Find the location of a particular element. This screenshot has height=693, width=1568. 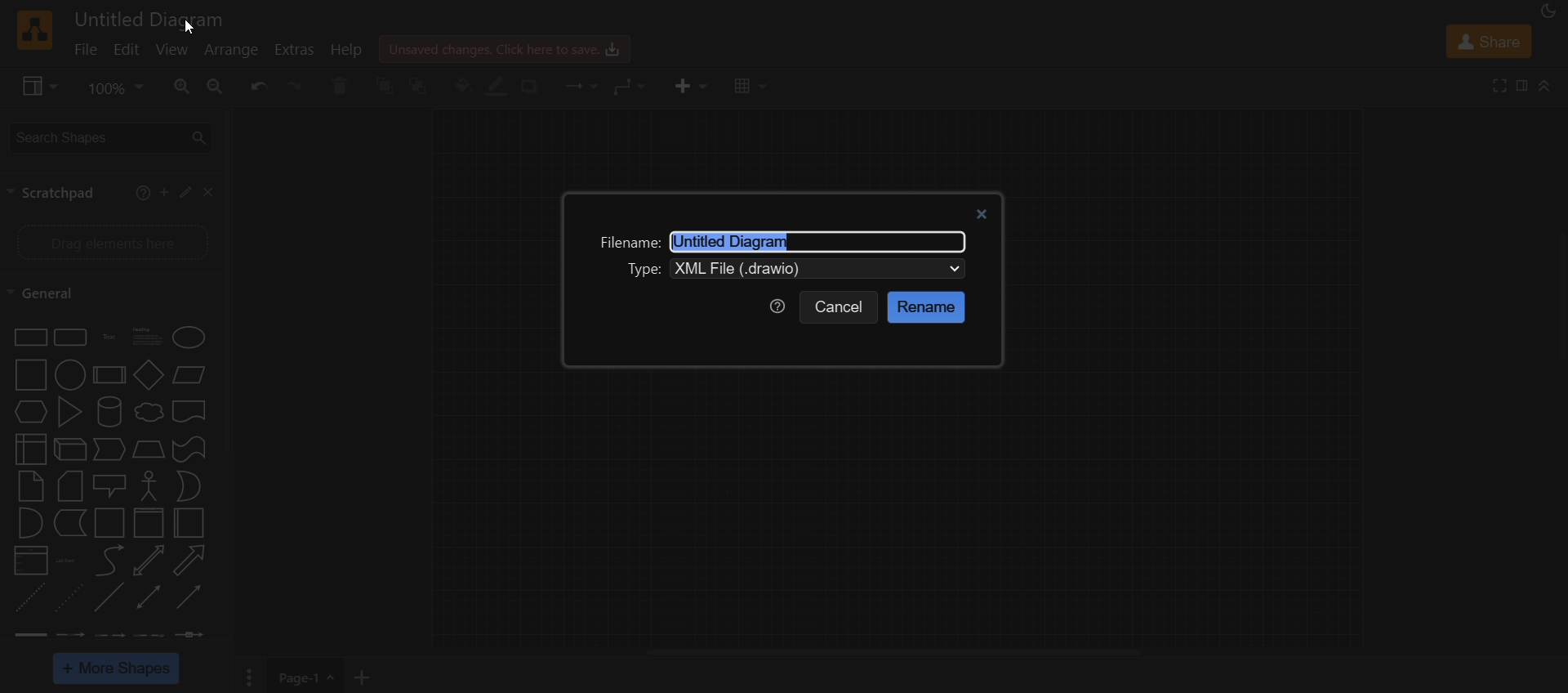

drag elements here is located at coordinates (111, 240).